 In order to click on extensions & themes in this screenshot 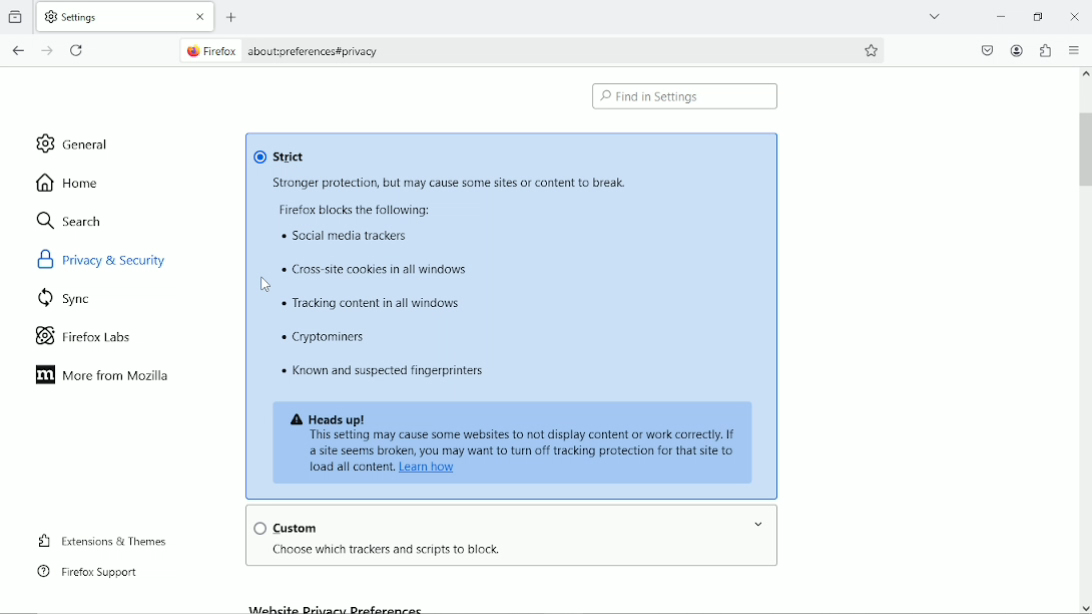, I will do `click(100, 541)`.